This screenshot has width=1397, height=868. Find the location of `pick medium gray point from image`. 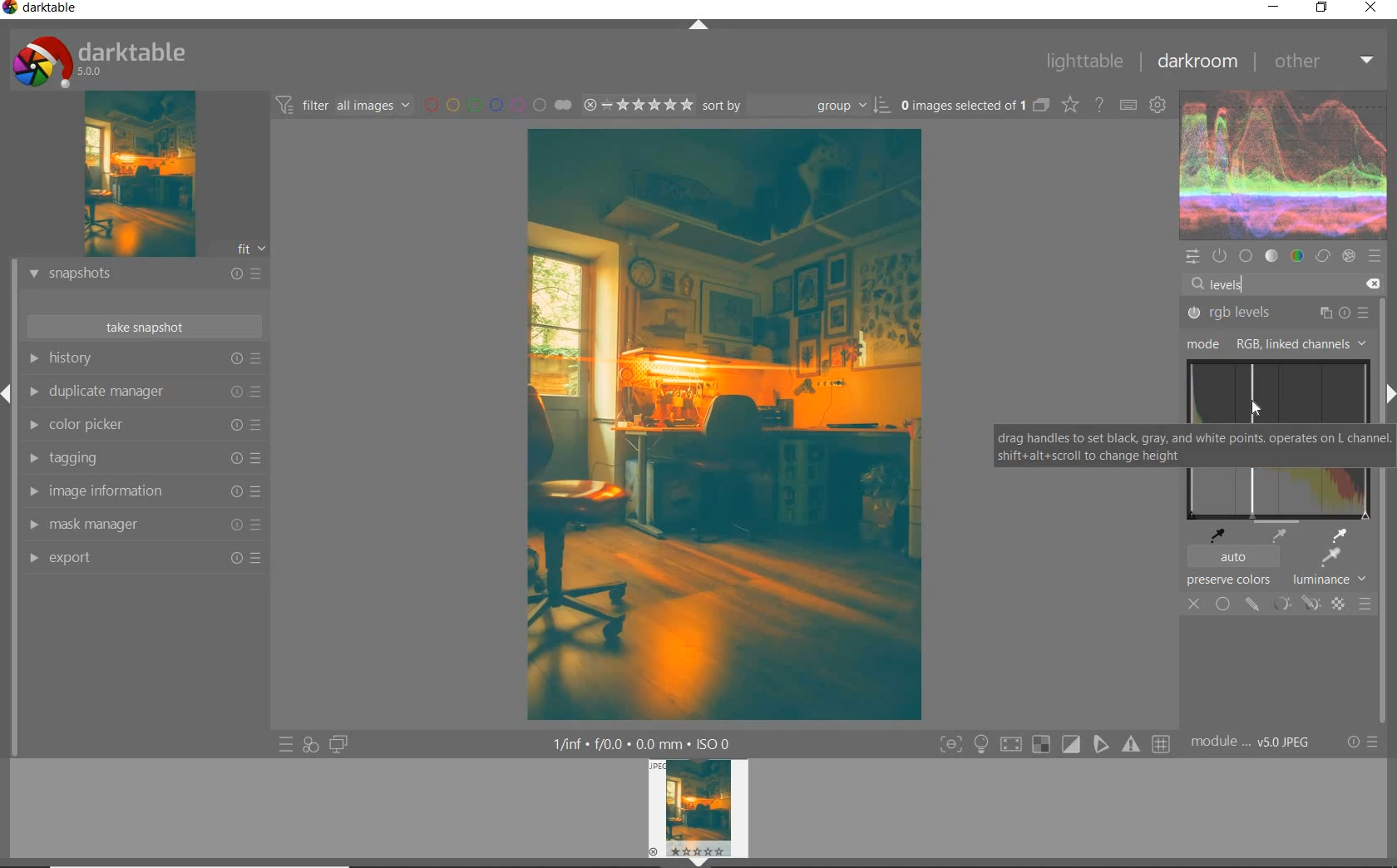

pick medium gray point from image is located at coordinates (1279, 536).